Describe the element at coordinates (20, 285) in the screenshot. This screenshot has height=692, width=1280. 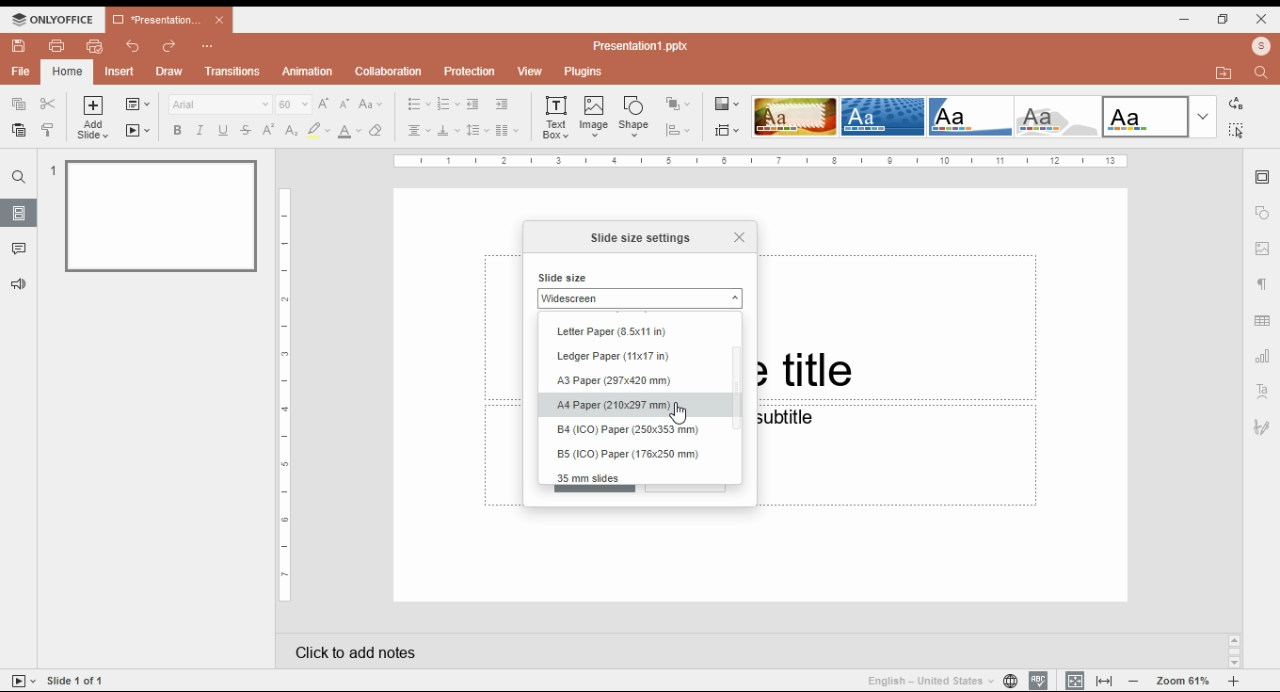
I see `feedback and support` at that location.